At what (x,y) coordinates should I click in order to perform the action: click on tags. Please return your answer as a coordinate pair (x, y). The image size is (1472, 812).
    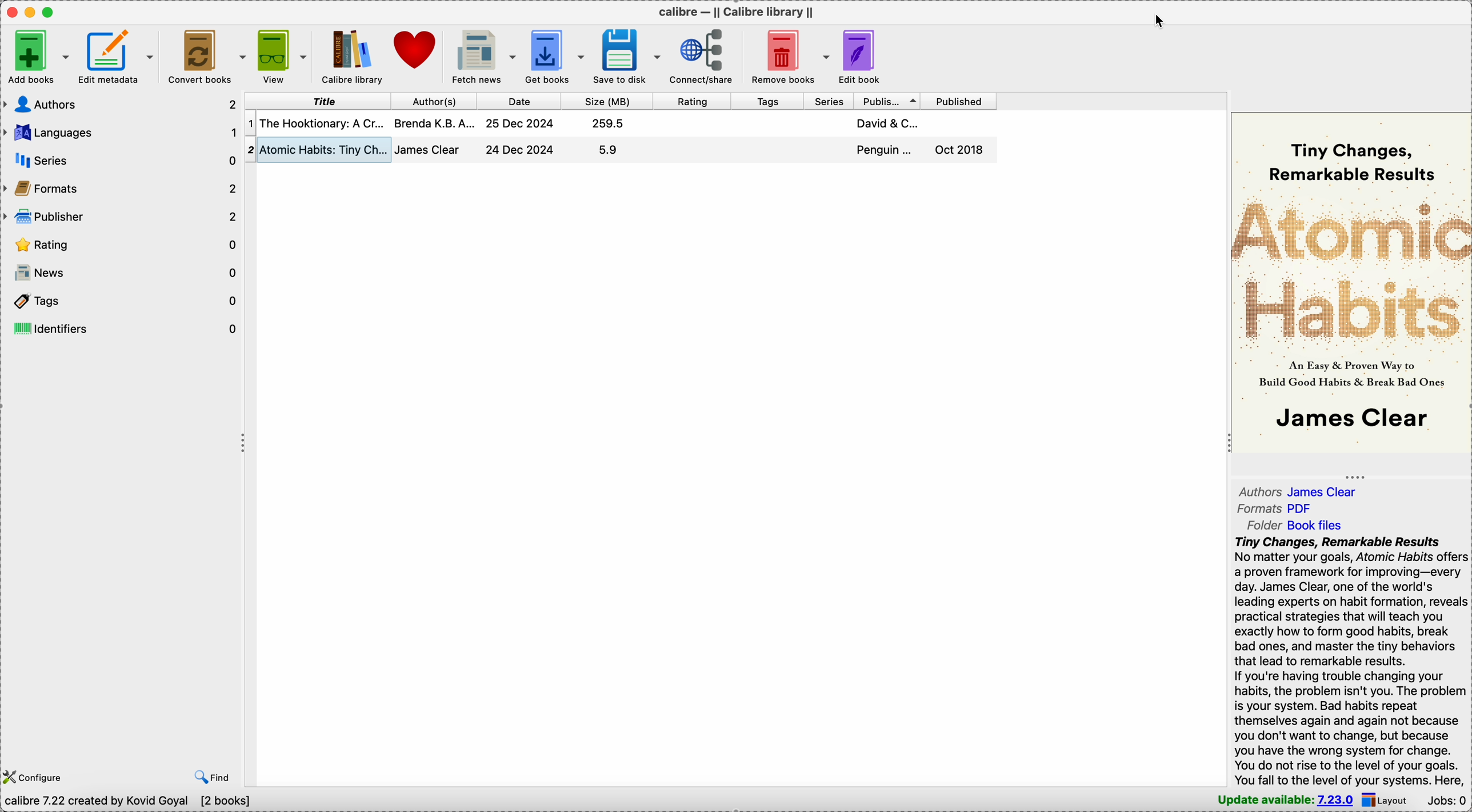
    Looking at the image, I should click on (122, 301).